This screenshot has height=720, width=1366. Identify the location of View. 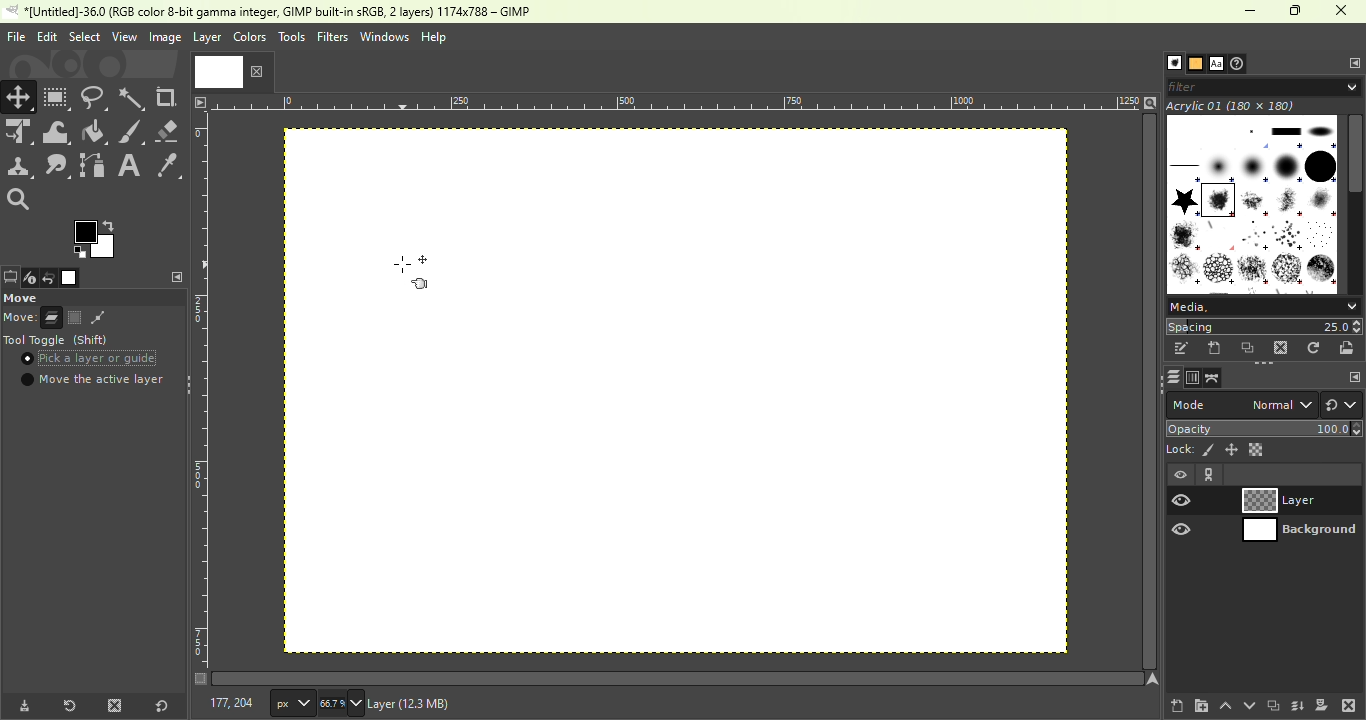
(122, 36).